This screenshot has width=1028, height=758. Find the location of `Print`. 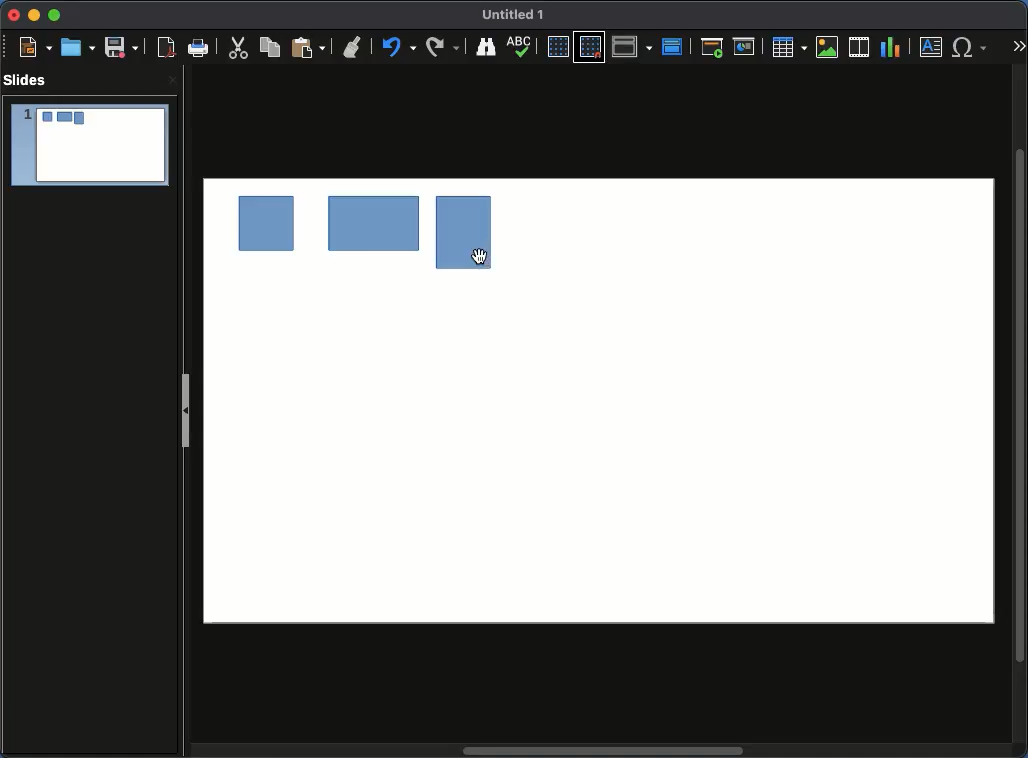

Print is located at coordinates (198, 46).